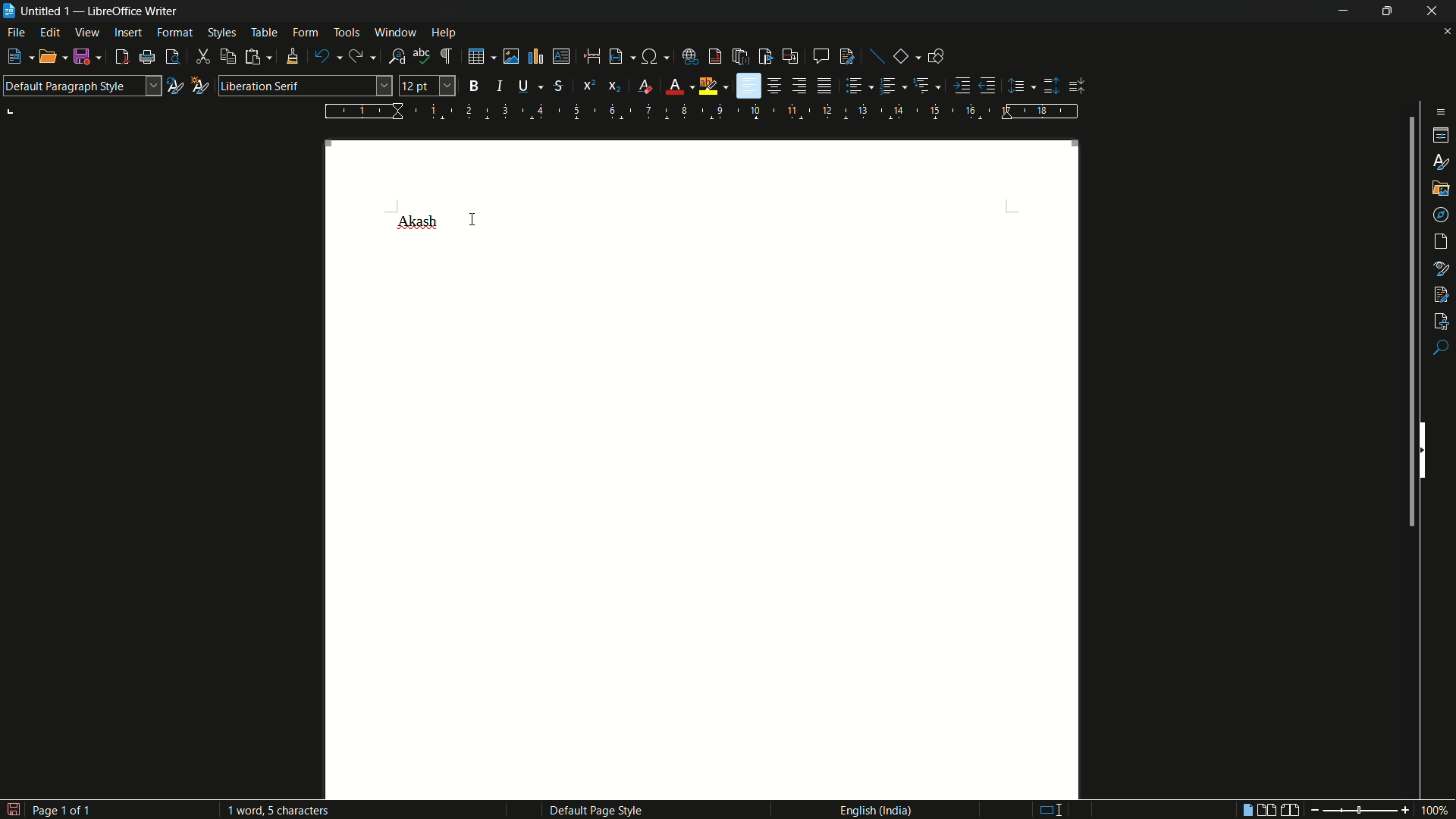  What do you see at coordinates (674, 87) in the screenshot?
I see `font color` at bounding box center [674, 87].